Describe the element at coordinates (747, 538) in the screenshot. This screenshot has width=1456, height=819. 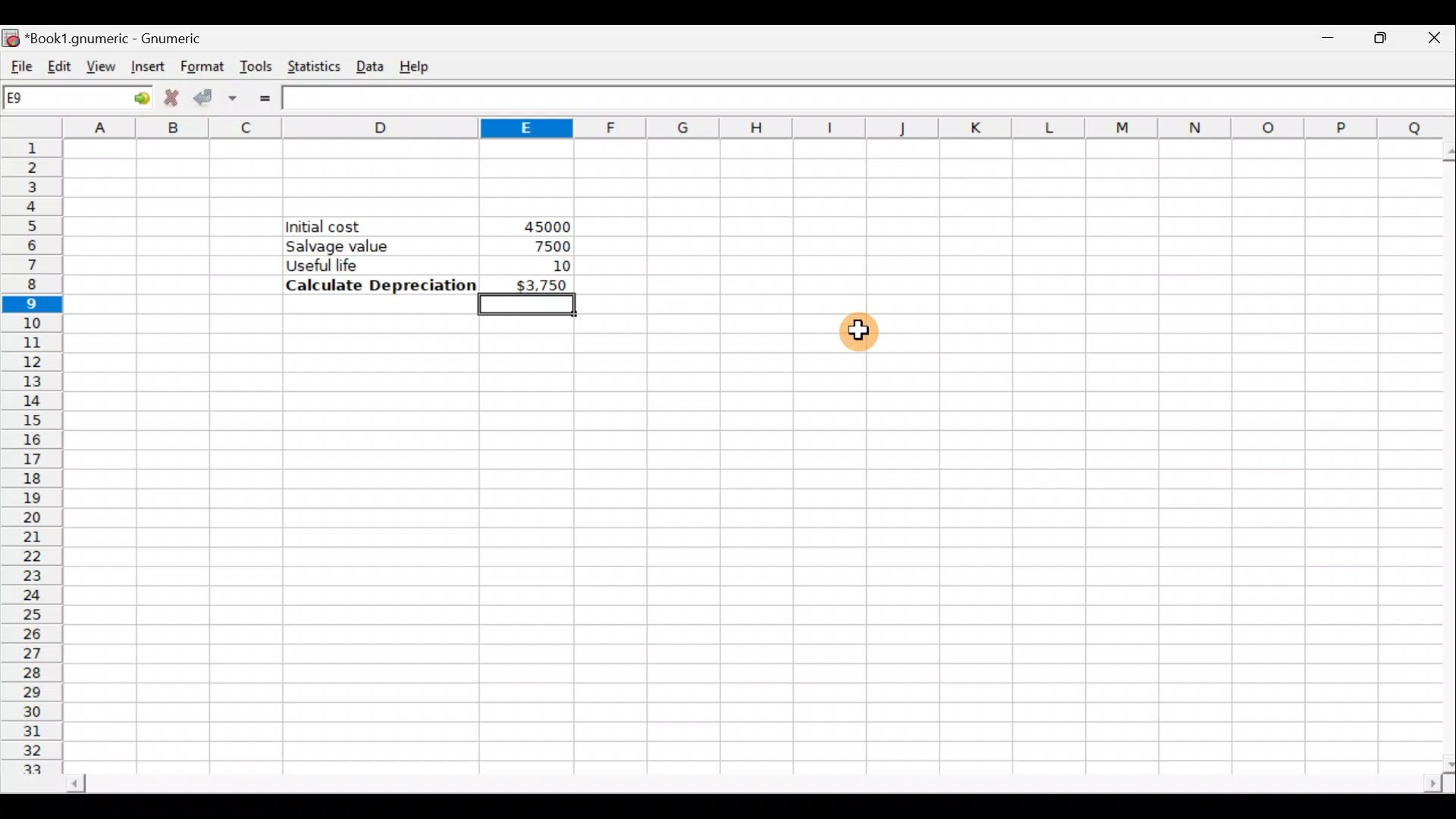
I see `Cells` at that location.